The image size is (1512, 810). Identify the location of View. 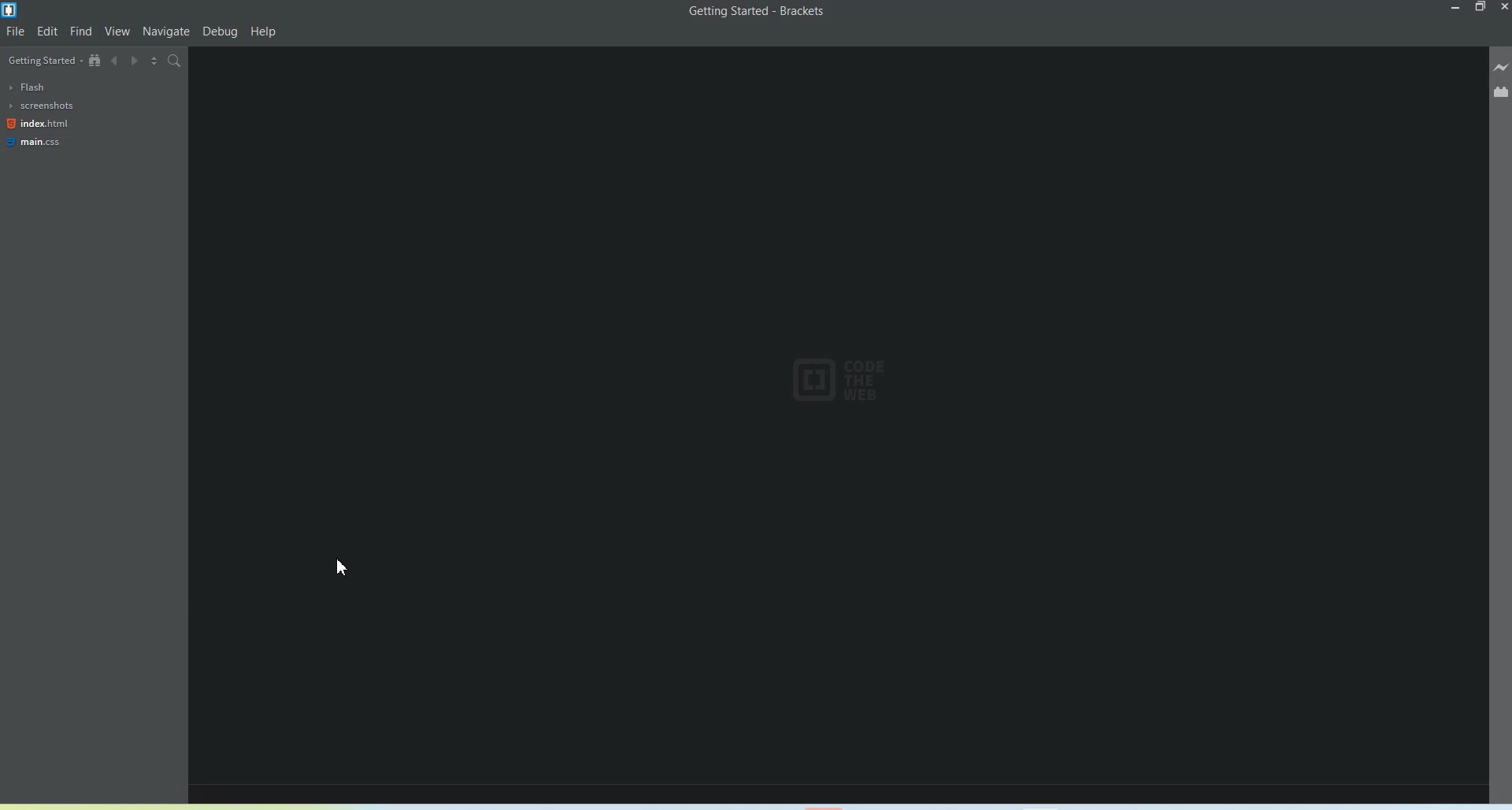
(117, 31).